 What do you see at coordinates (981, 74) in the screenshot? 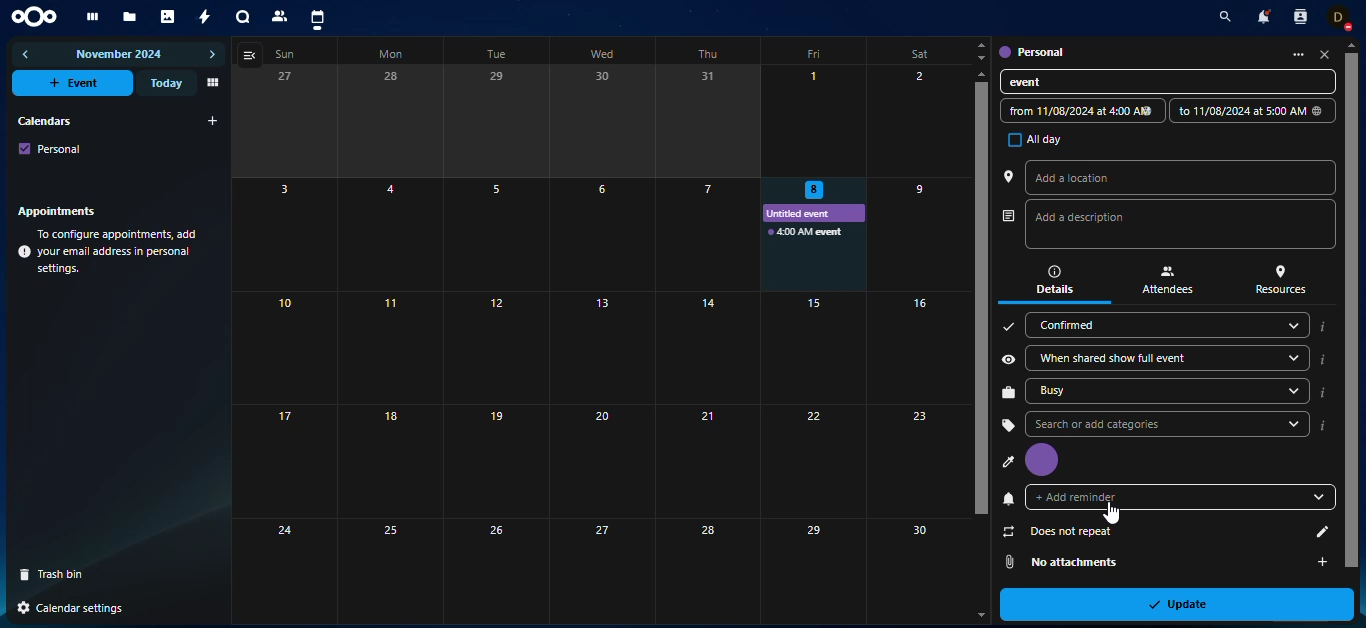
I see `Move up` at bounding box center [981, 74].